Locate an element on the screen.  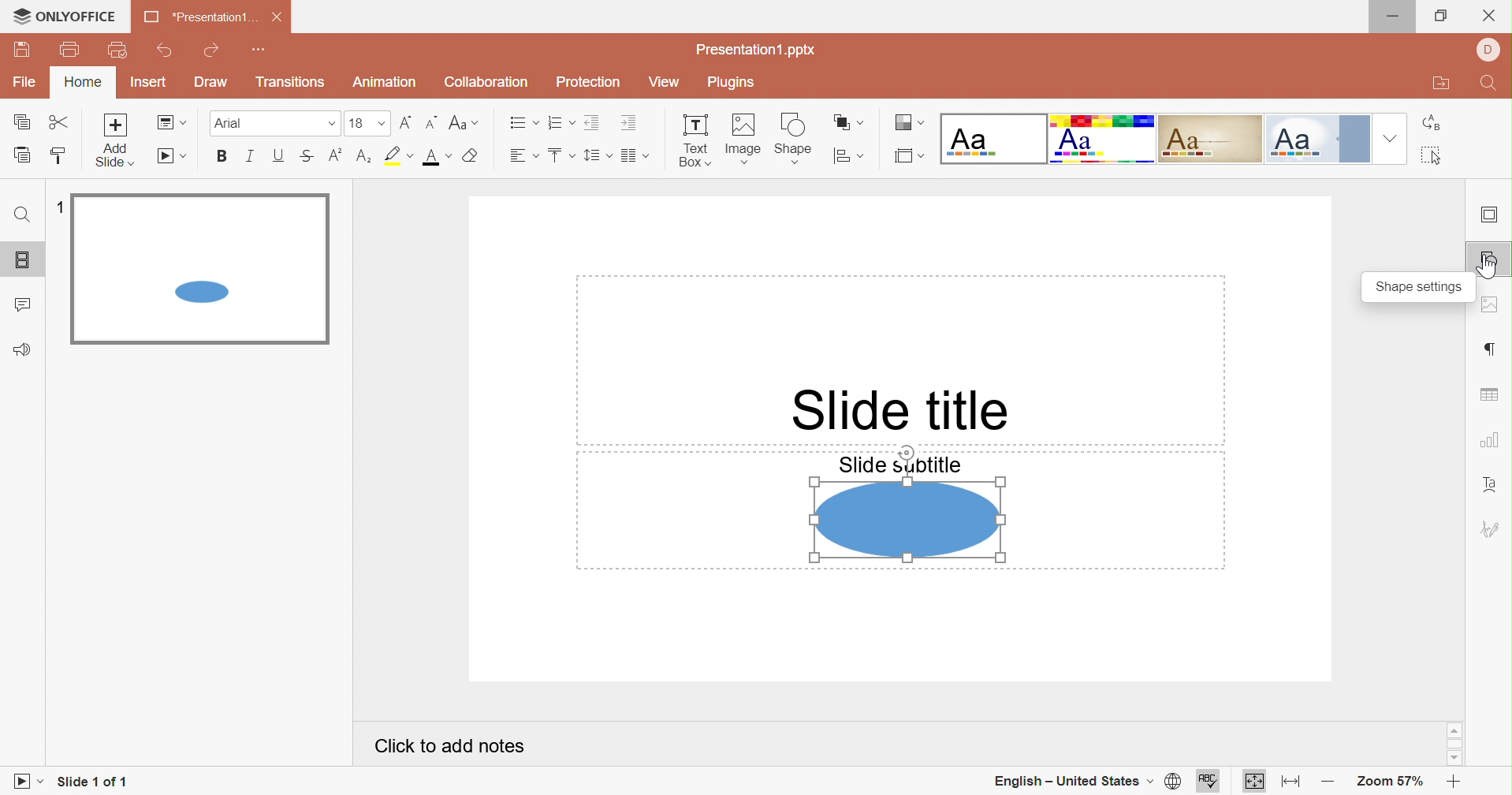
Text Box is located at coordinates (695, 142).